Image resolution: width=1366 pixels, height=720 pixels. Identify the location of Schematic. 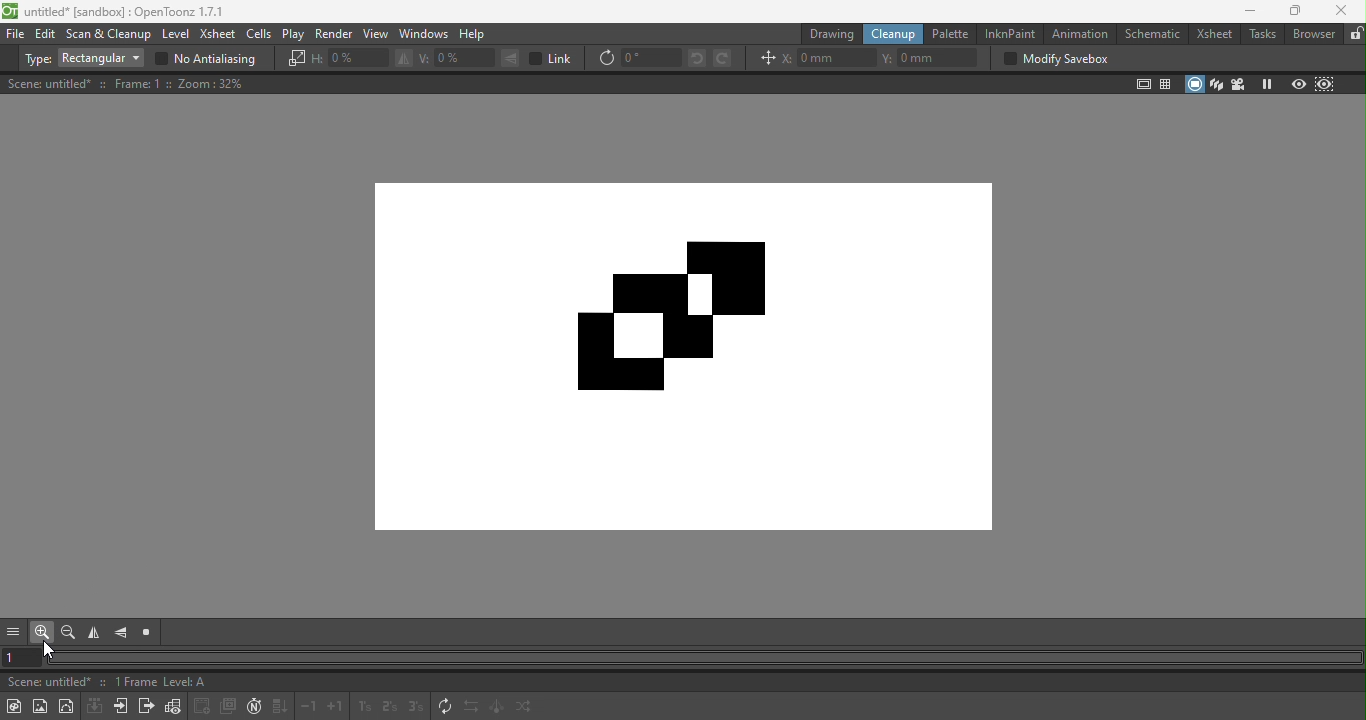
(1150, 36).